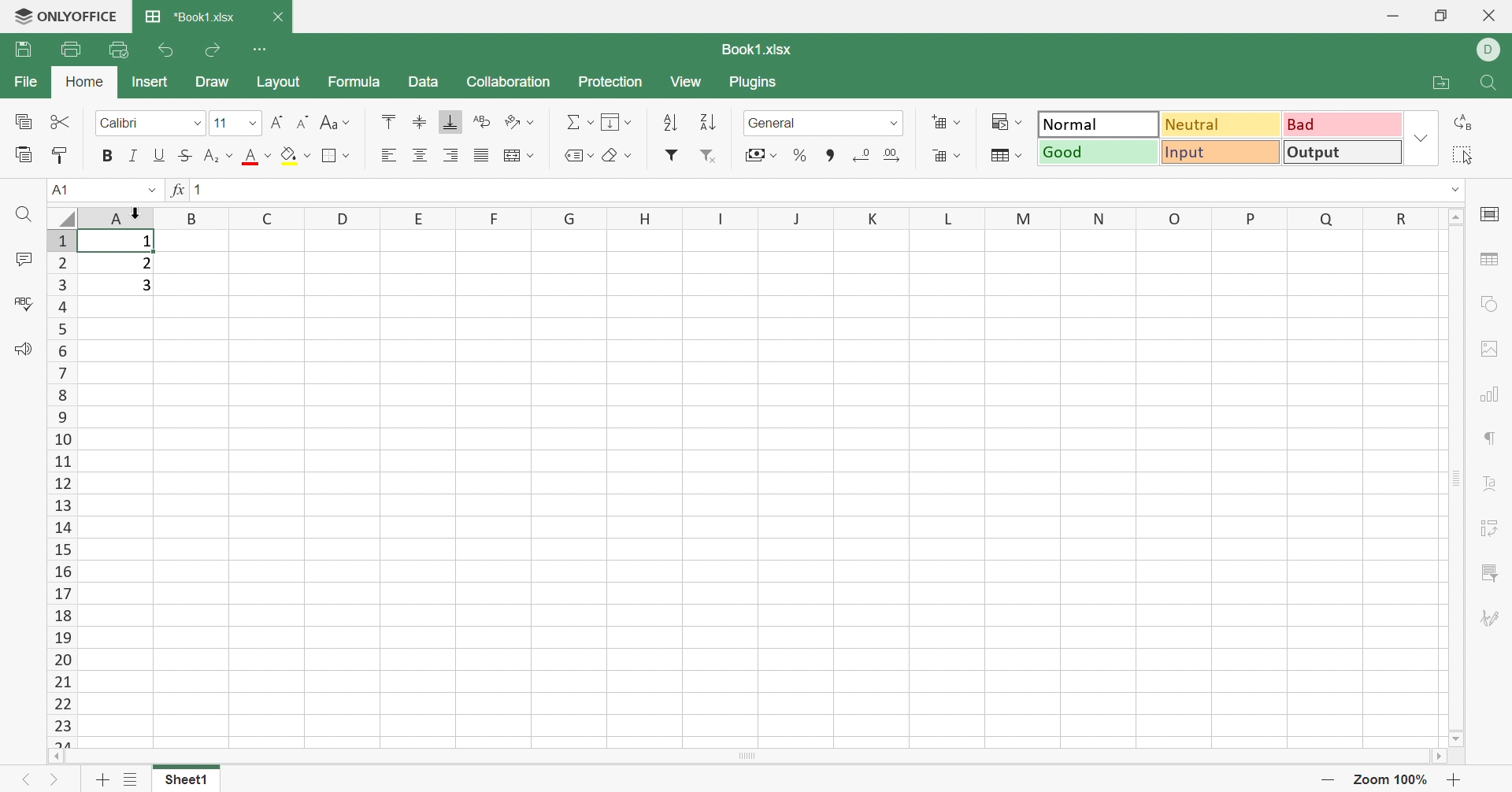 The image size is (1512, 792). Describe the element at coordinates (829, 156) in the screenshot. I see `Comma style` at that location.